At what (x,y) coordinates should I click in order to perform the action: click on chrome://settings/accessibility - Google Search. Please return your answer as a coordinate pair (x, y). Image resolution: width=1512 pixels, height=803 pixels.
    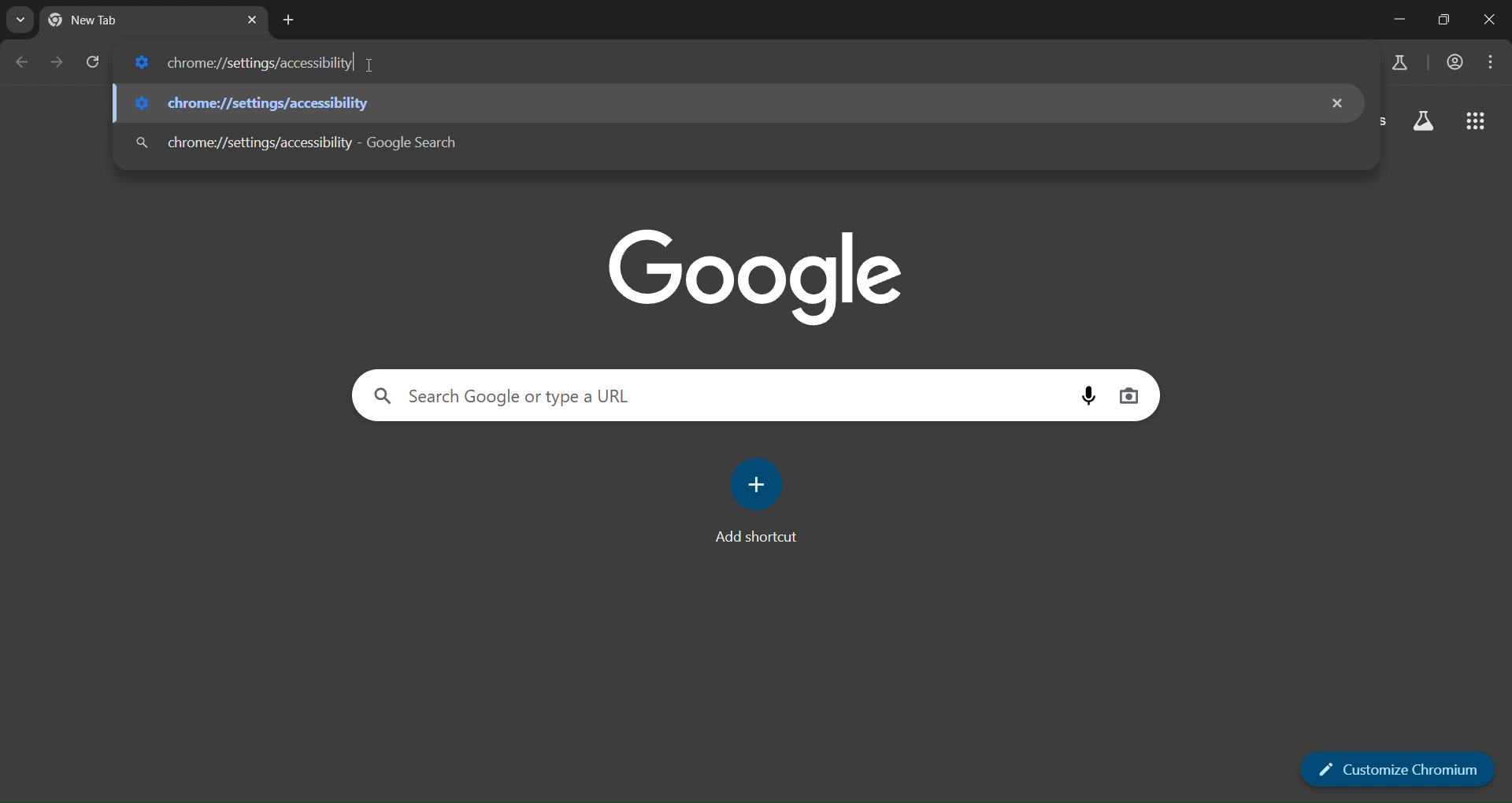
    Looking at the image, I should click on (297, 144).